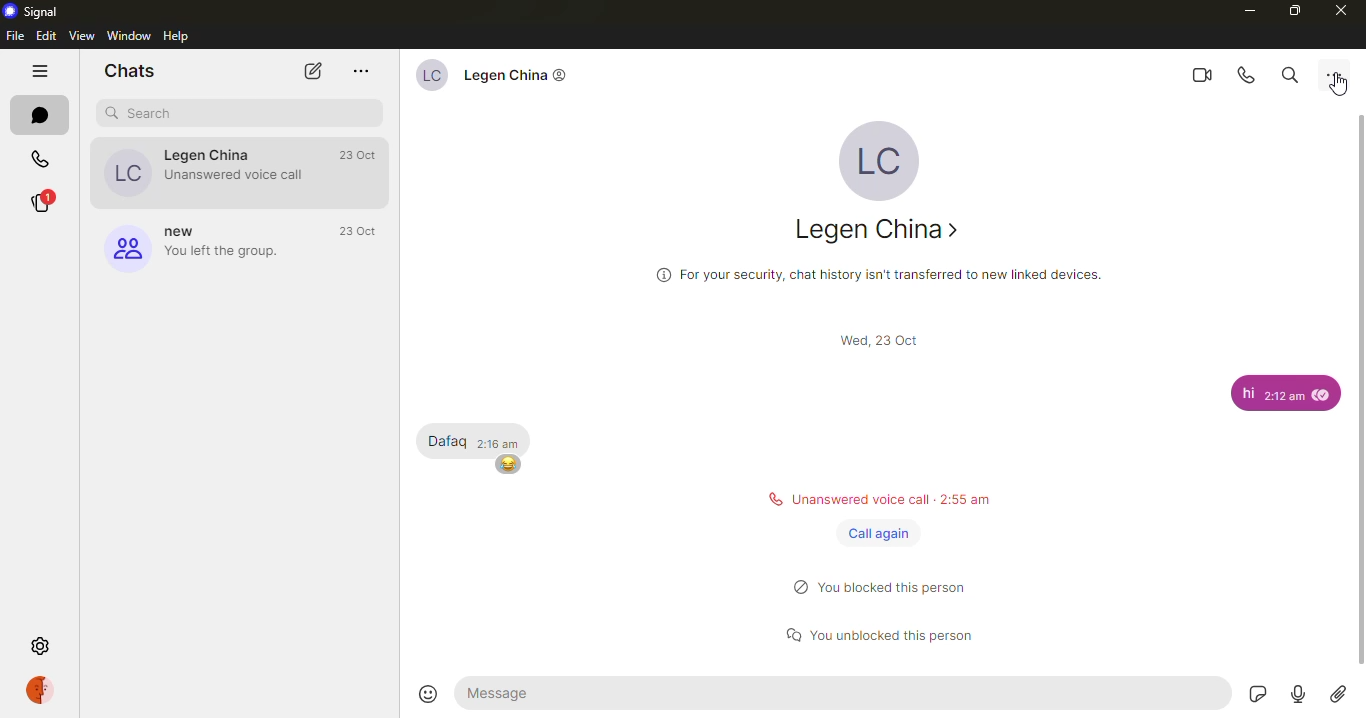  I want to click on group, so click(204, 249).